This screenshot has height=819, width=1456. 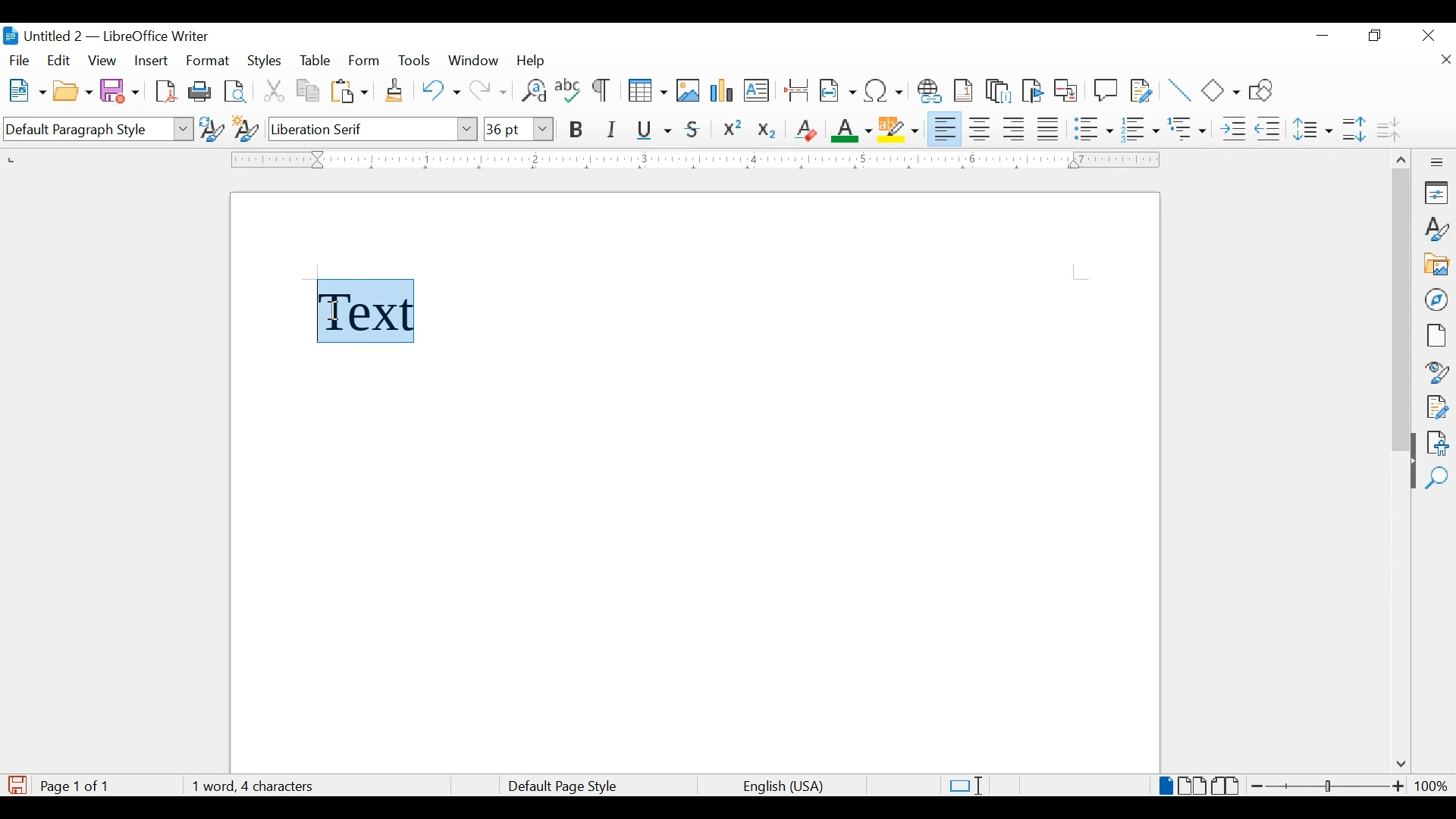 I want to click on check spelling, so click(x=569, y=89).